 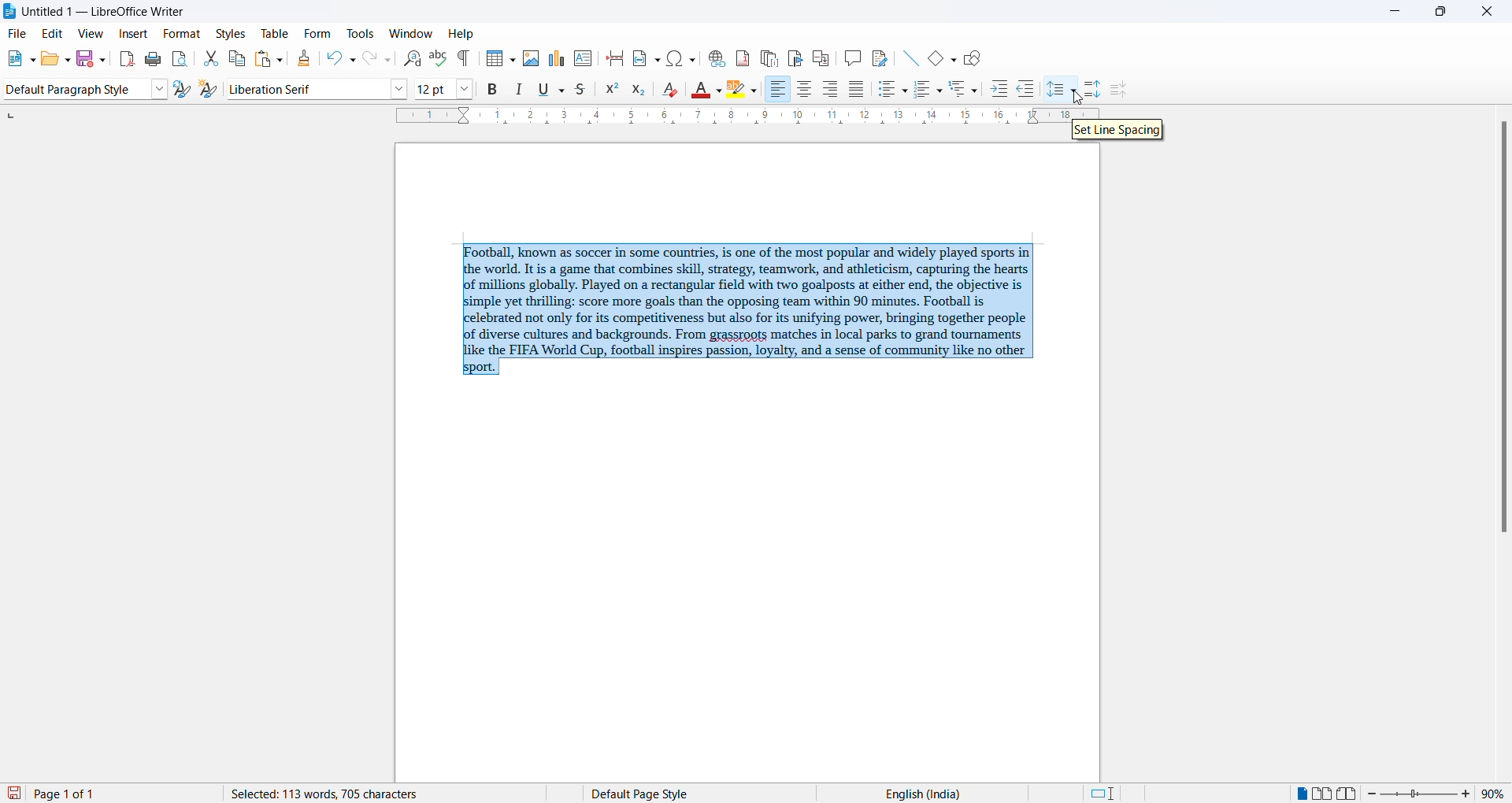 I want to click on paste, so click(x=262, y=59).